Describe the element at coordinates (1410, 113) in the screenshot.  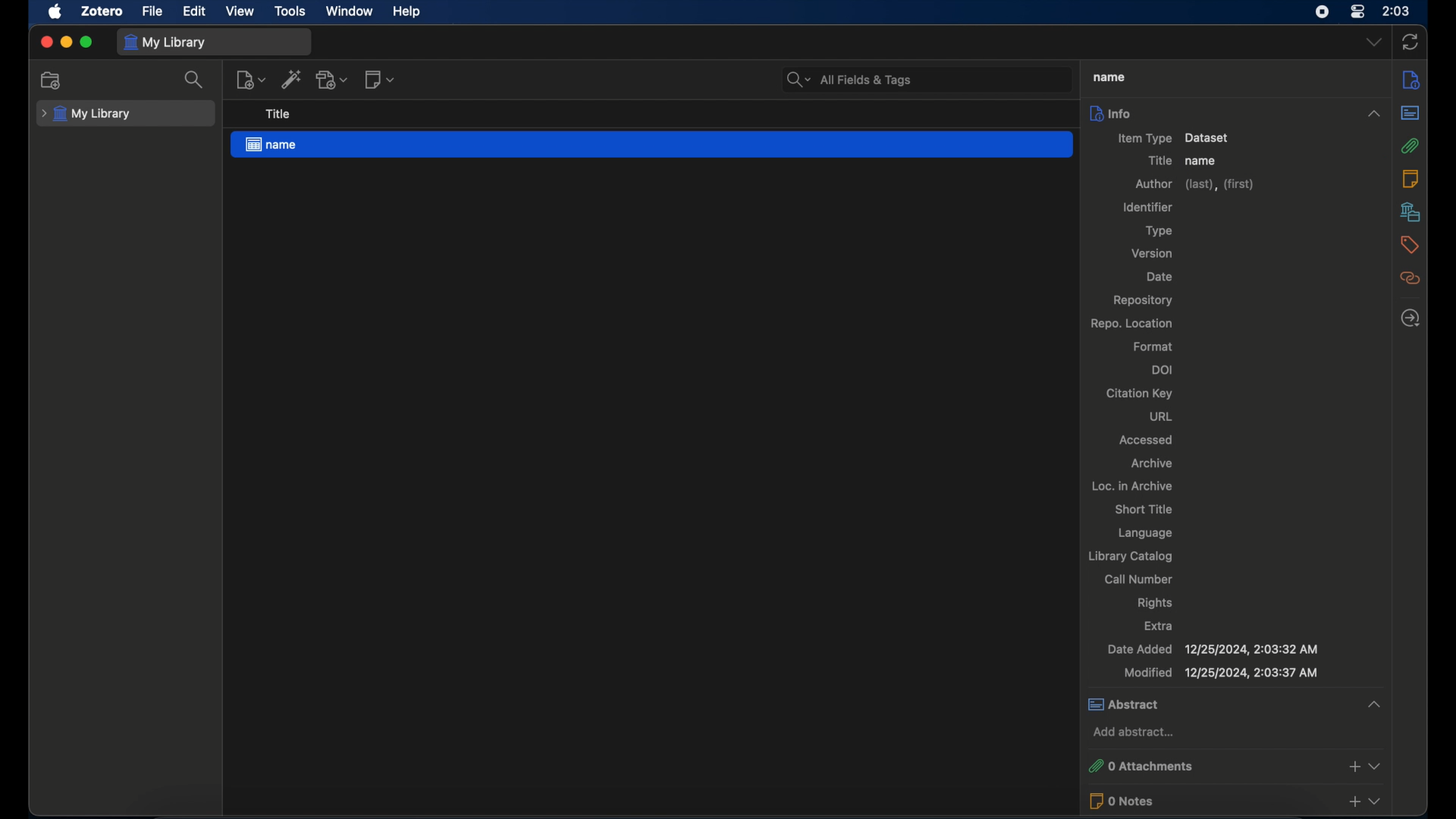
I see `abstract` at that location.